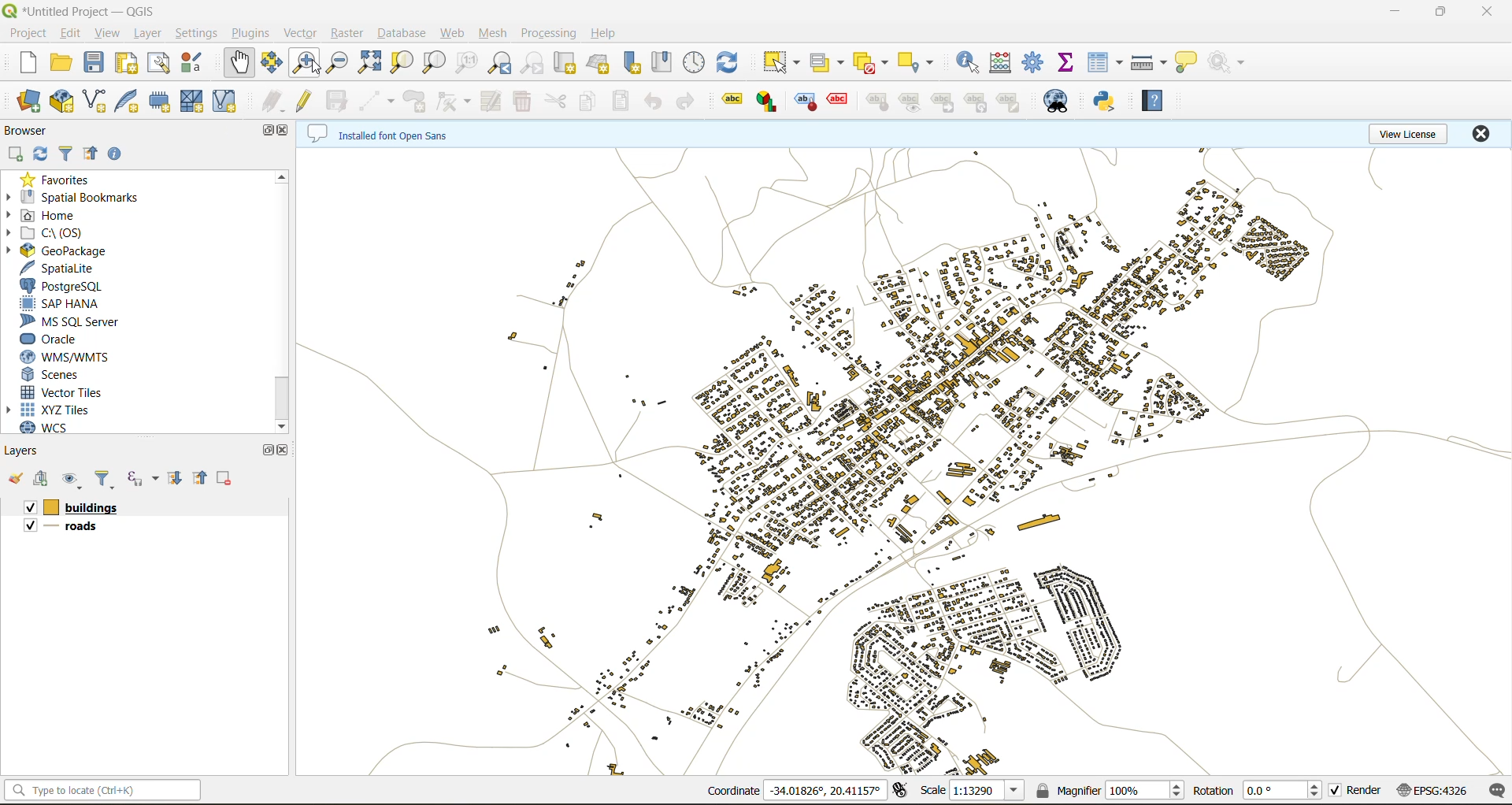 The height and width of the screenshot is (805, 1512). Describe the element at coordinates (490, 99) in the screenshot. I see `modify` at that location.